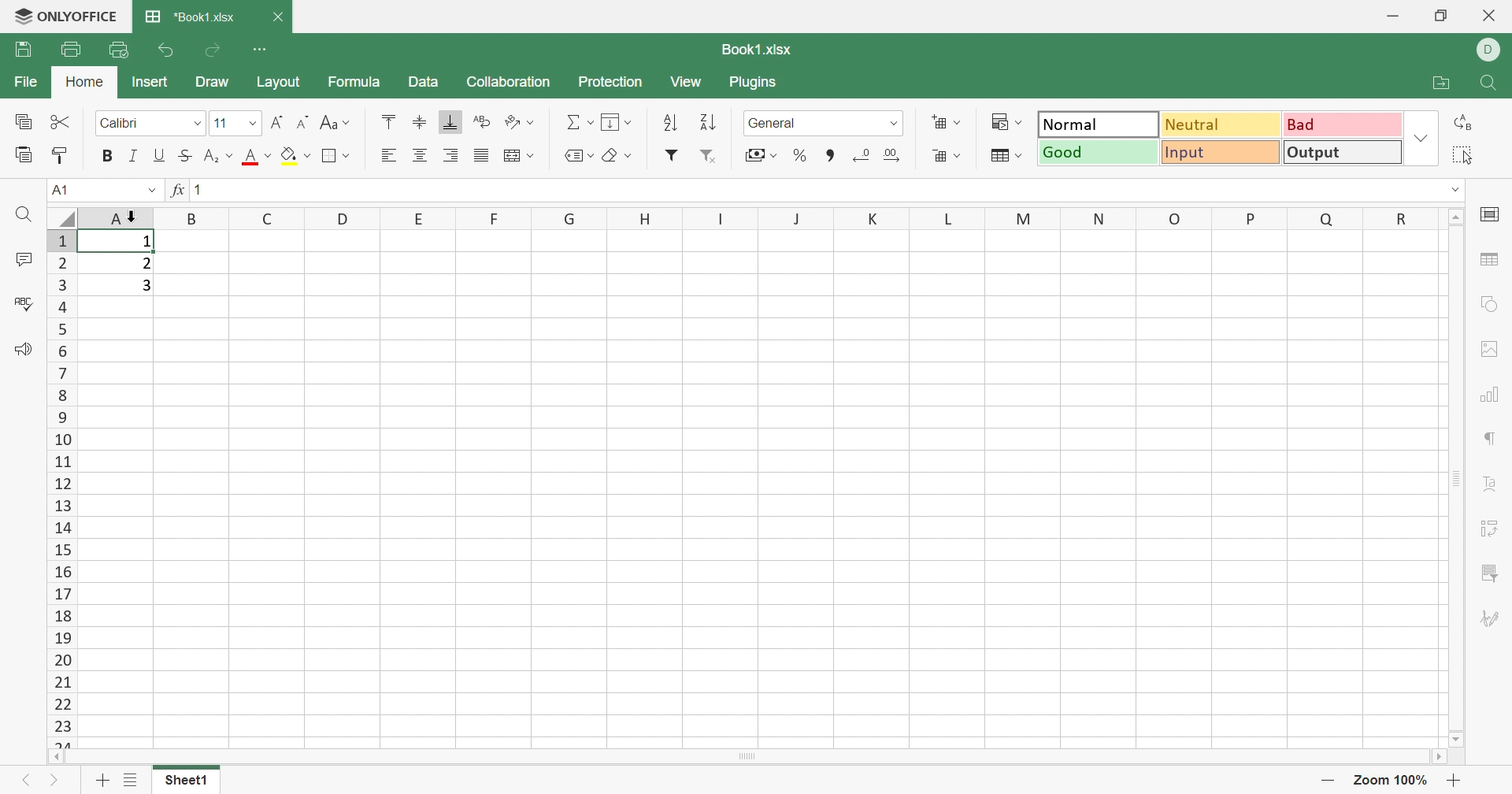 This screenshot has width=1512, height=794. I want to click on Fill color, so click(296, 154).